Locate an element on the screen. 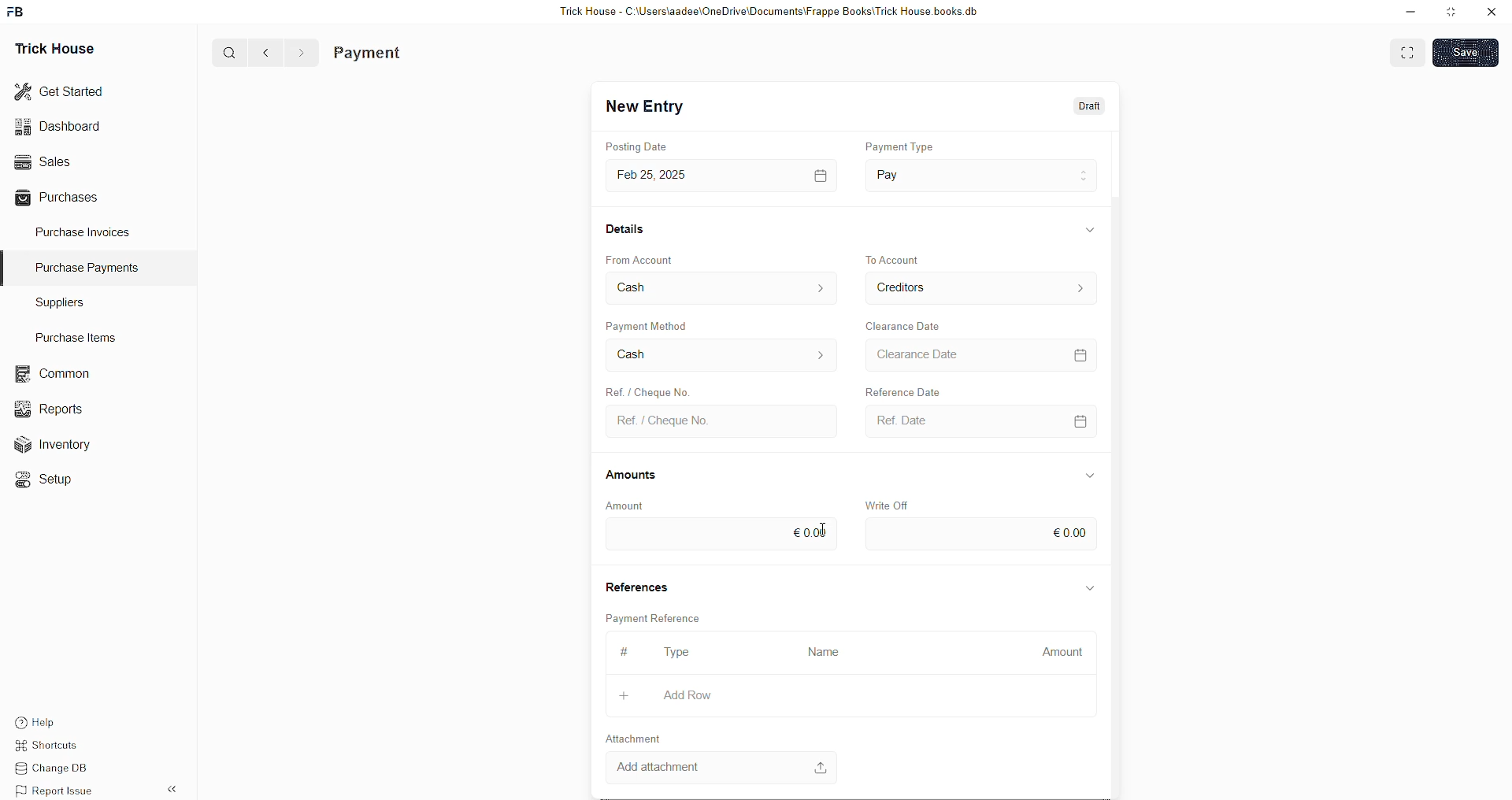  < is located at coordinates (262, 52).